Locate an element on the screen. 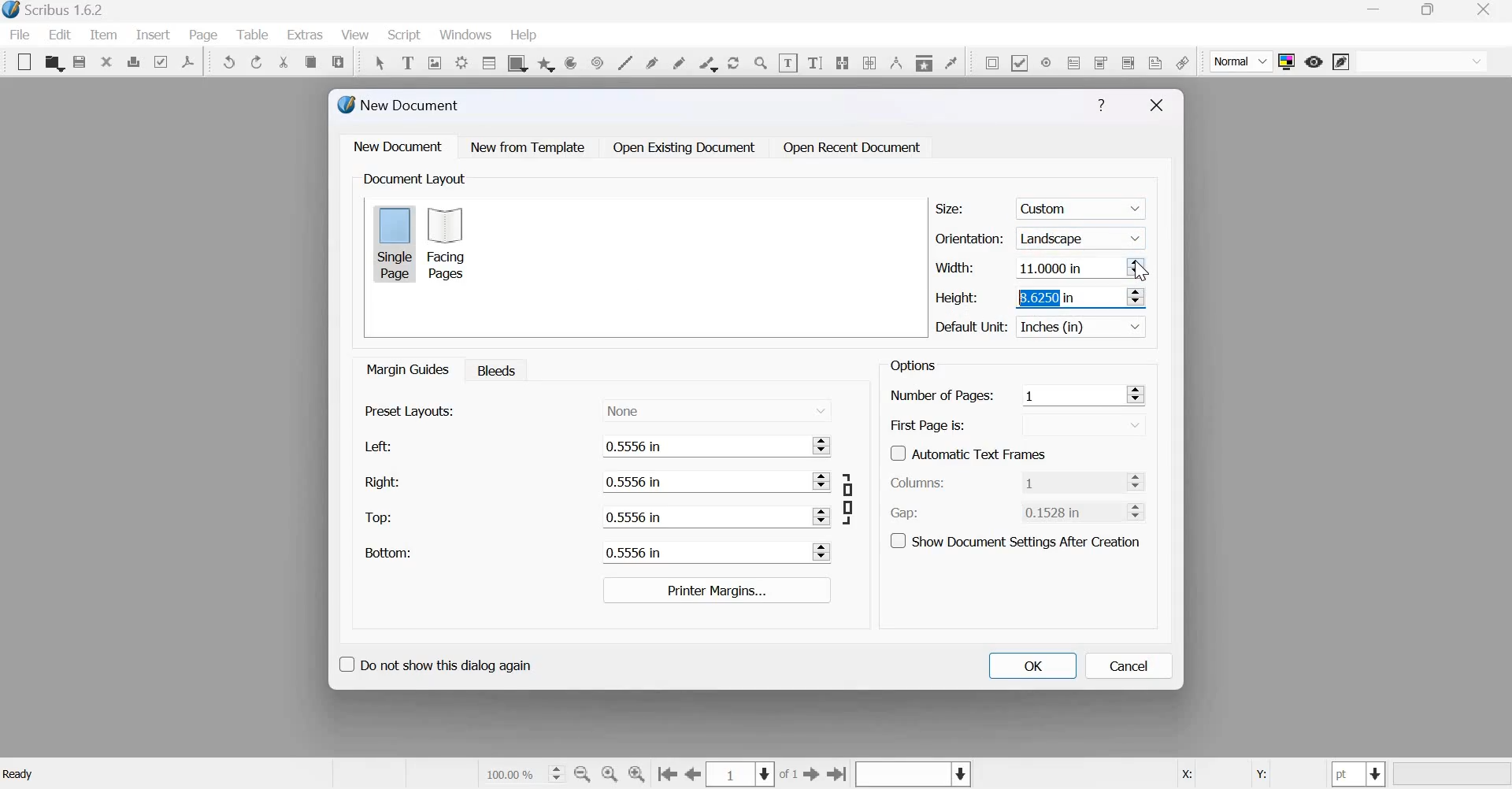 The width and height of the screenshot is (1512, 789). OK is located at coordinates (1032, 665).